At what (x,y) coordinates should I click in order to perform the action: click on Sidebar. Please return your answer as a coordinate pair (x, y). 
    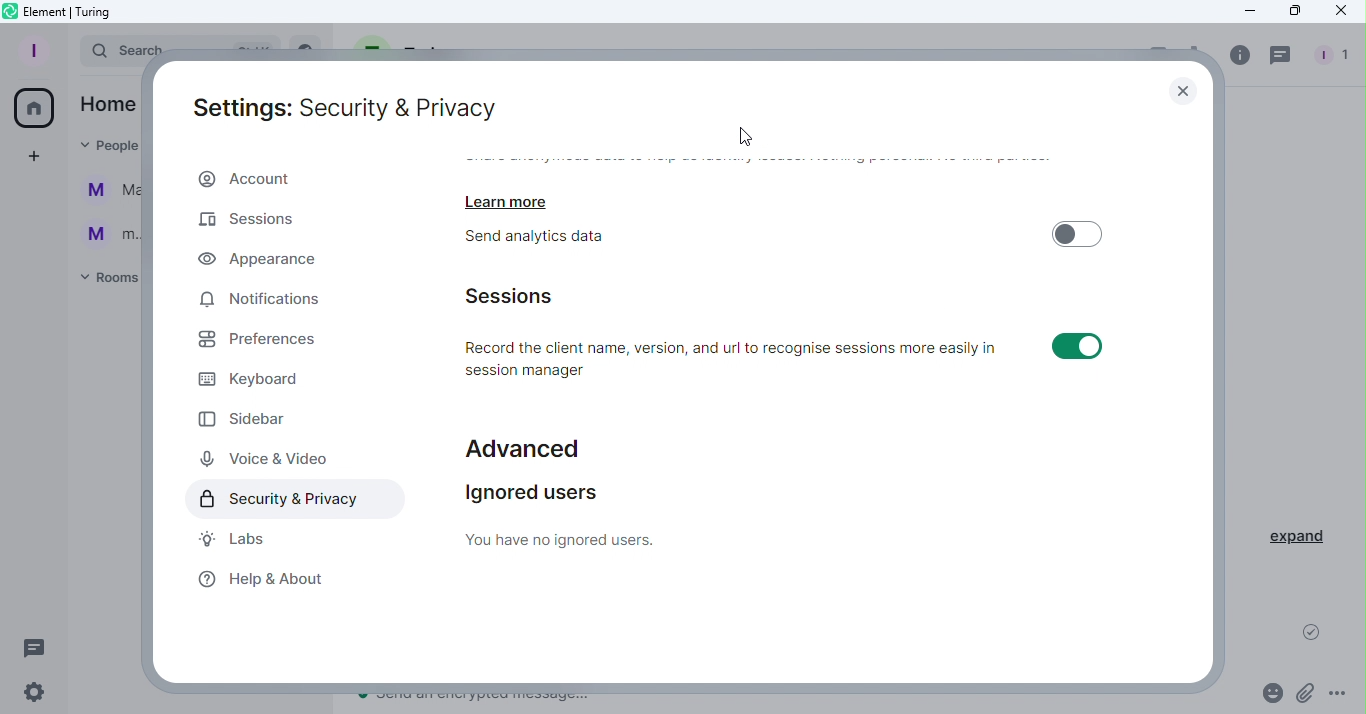
    Looking at the image, I should click on (249, 419).